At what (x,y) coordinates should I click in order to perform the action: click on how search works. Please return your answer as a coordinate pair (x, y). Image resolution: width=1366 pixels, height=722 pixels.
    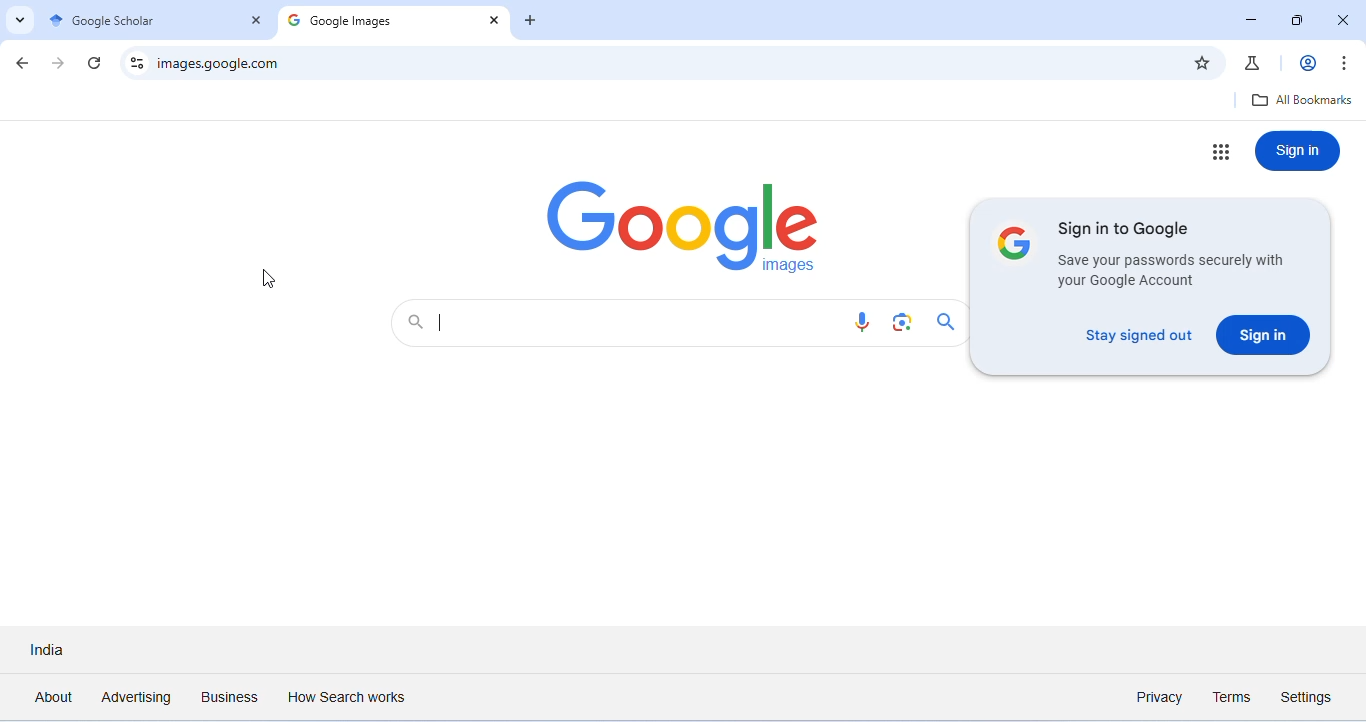
    Looking at the image, I should click on (347, 697).